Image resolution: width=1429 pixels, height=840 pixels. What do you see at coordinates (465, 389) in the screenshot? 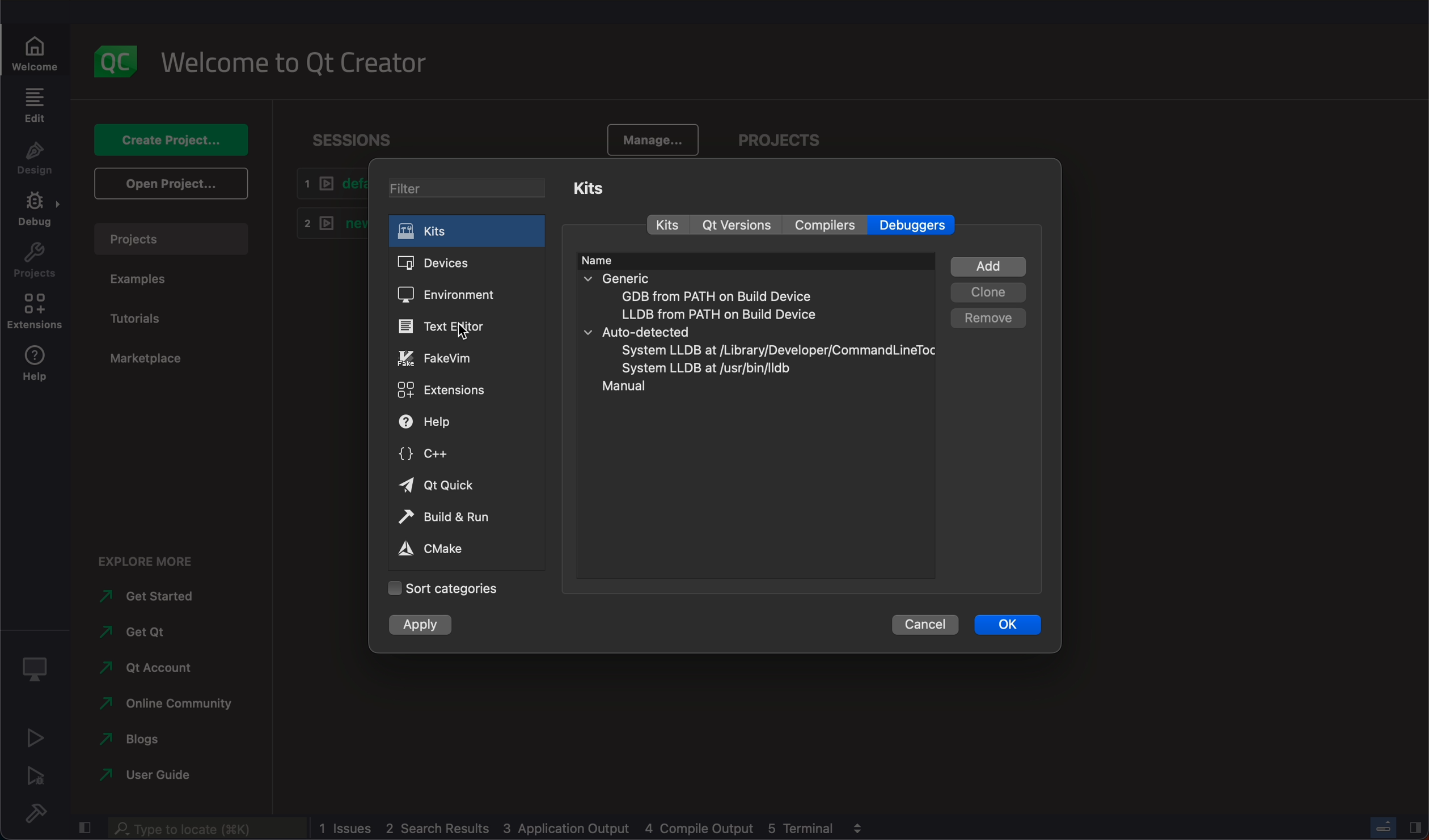
I see `extensions` at bounding box center [465, 389].